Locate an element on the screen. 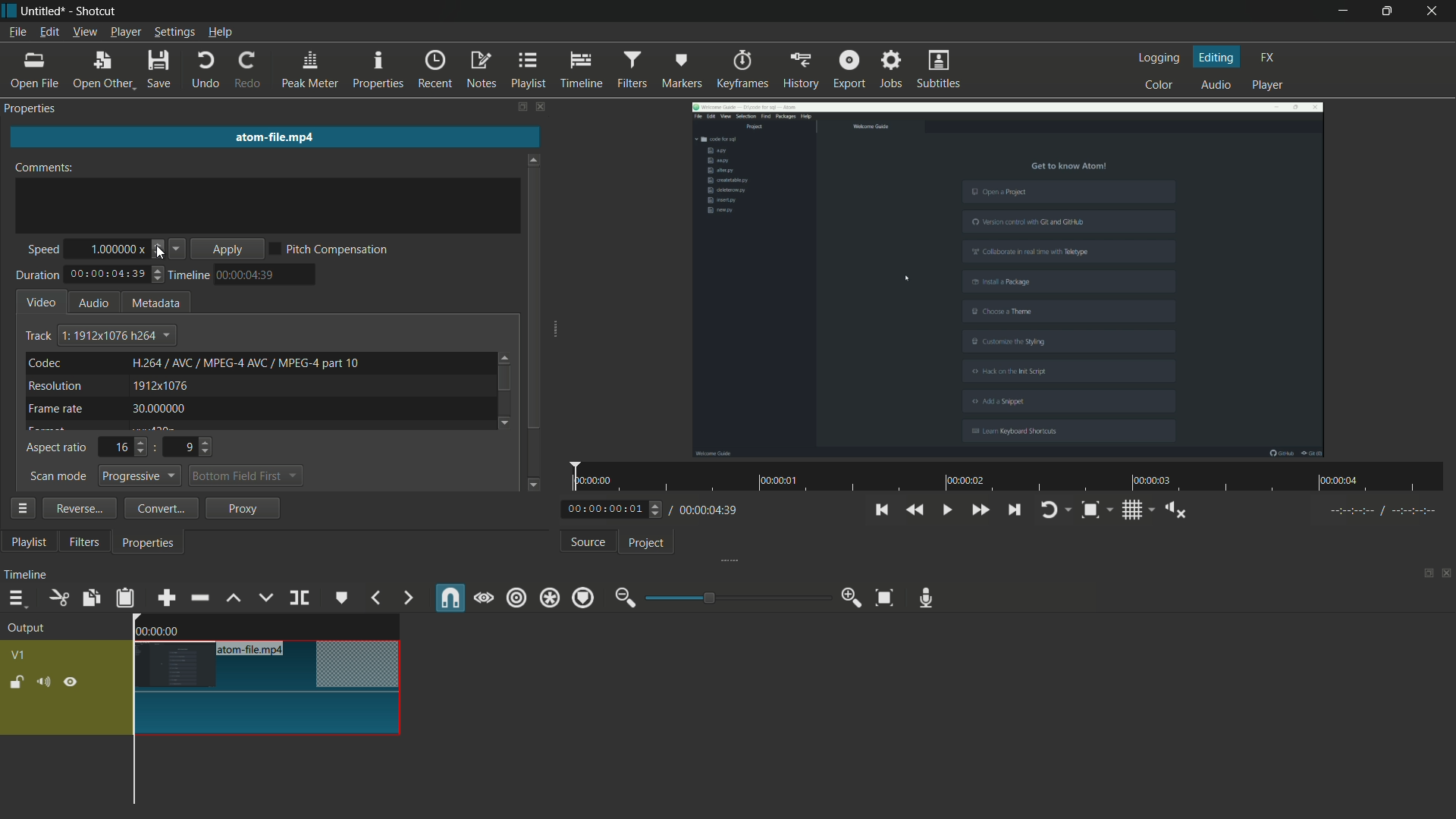  zoom out is located at coordinates (626, 598).